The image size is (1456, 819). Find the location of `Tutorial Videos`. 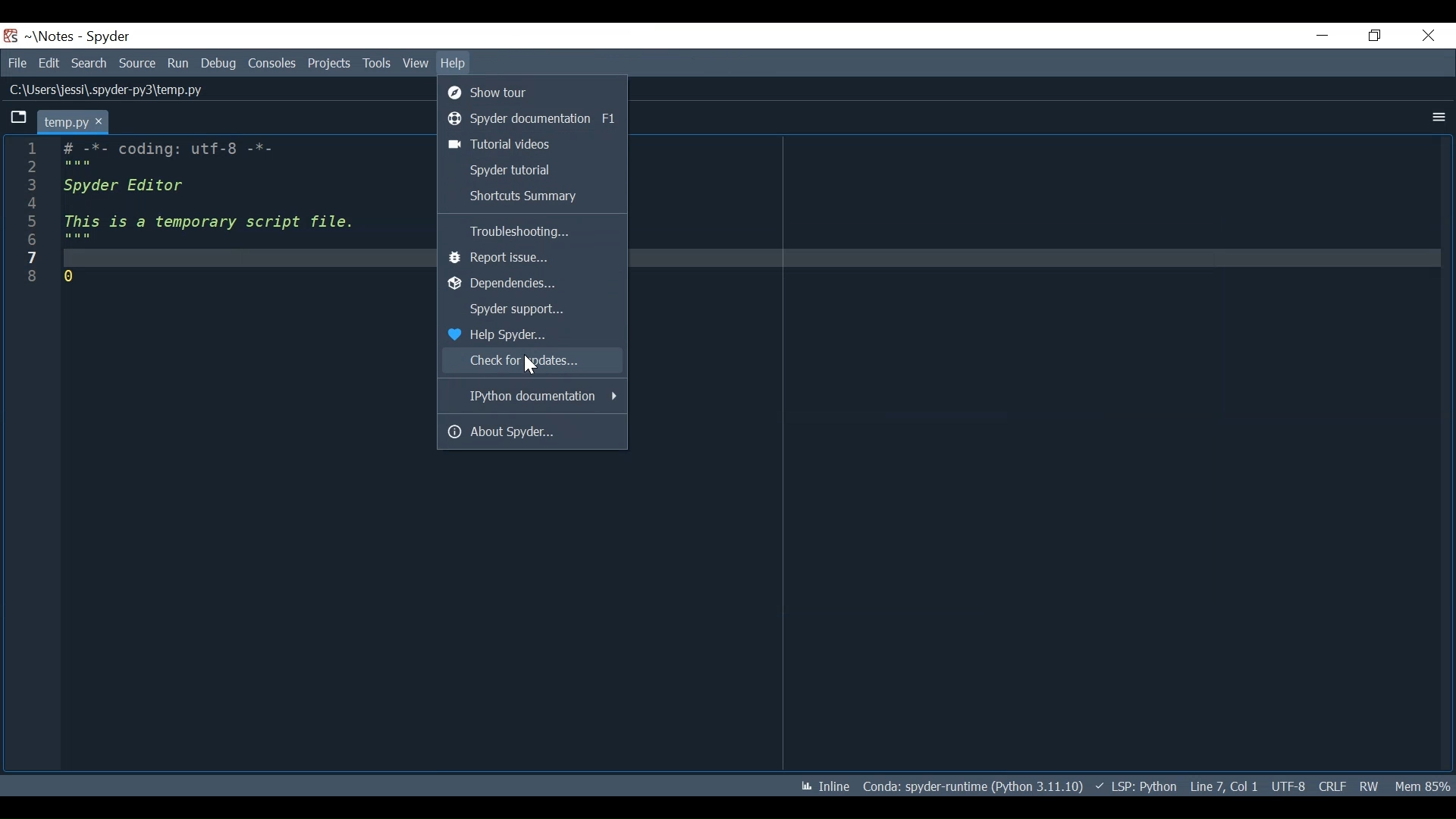

Tutorial Videos is located at coordinates (531, 143).